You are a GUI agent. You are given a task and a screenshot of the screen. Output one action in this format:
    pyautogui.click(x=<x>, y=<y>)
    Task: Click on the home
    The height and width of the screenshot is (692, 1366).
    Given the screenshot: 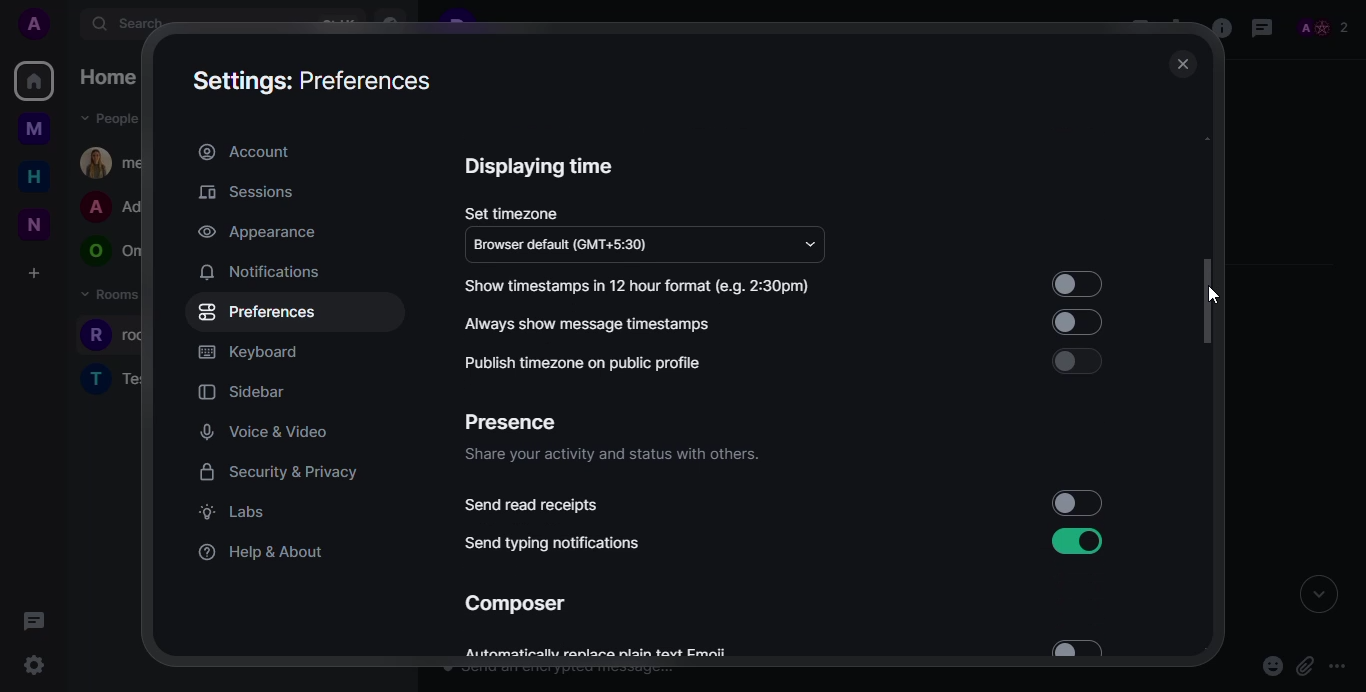 What is the action you would take?
    pyautogui.click(x=35, y=81)
    